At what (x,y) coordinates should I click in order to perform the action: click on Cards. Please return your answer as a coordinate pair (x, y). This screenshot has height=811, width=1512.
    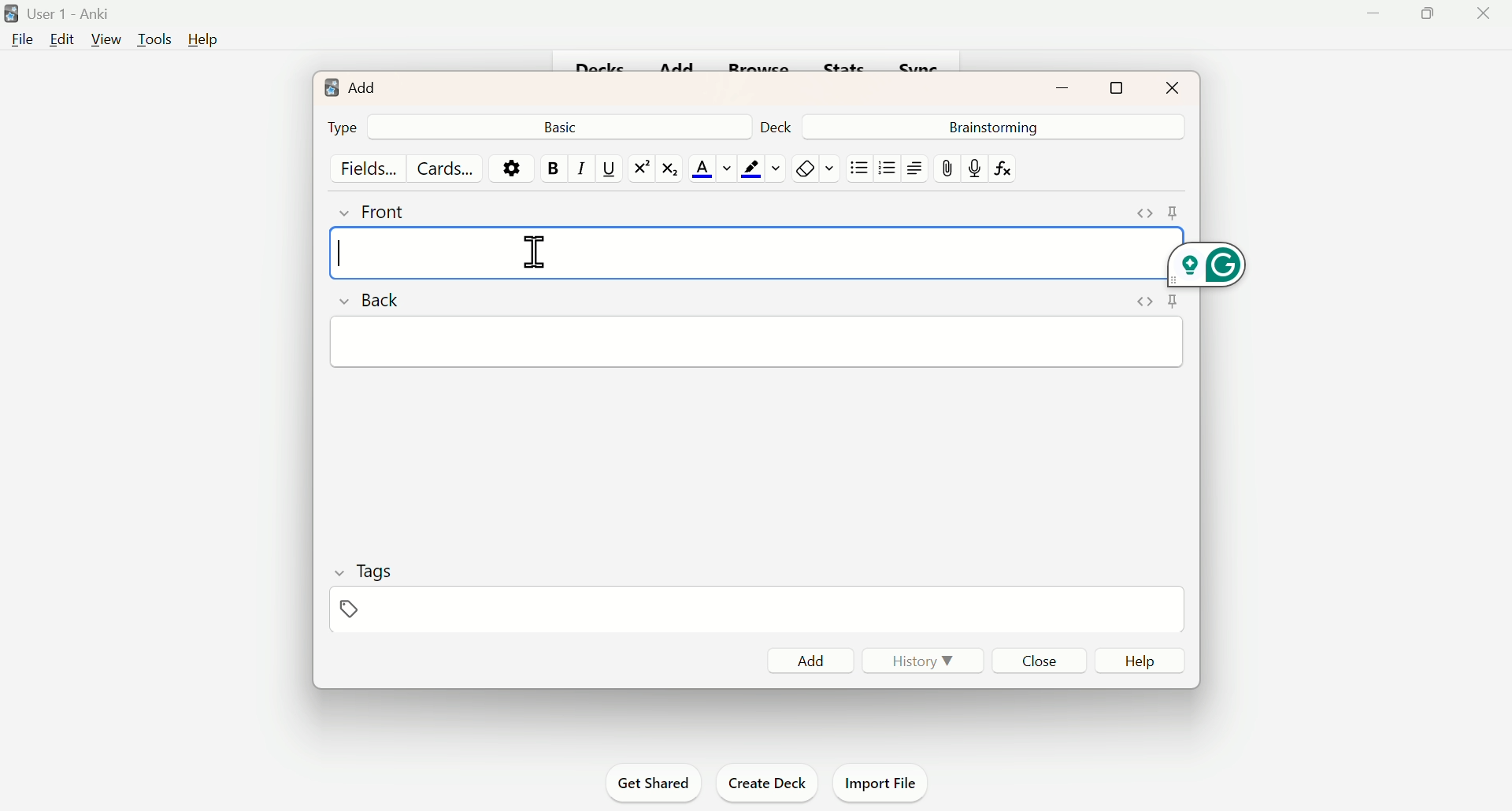
    Looking at the image, I should click on (445, 168).